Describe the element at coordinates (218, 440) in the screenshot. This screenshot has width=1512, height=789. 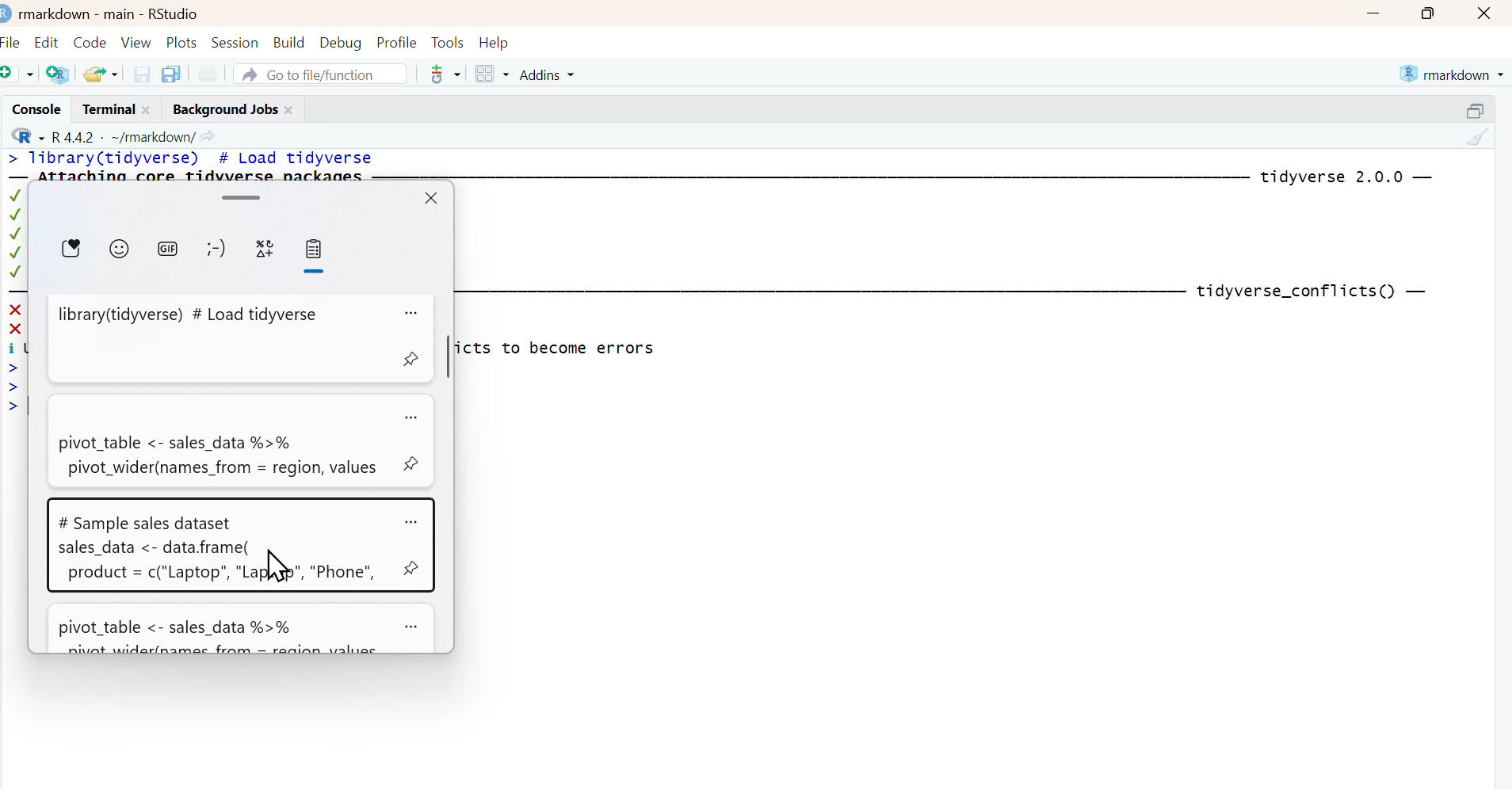
I see `pivot_table <- sales_data %>%
pivot_wider(names_from = region, values` at that location.